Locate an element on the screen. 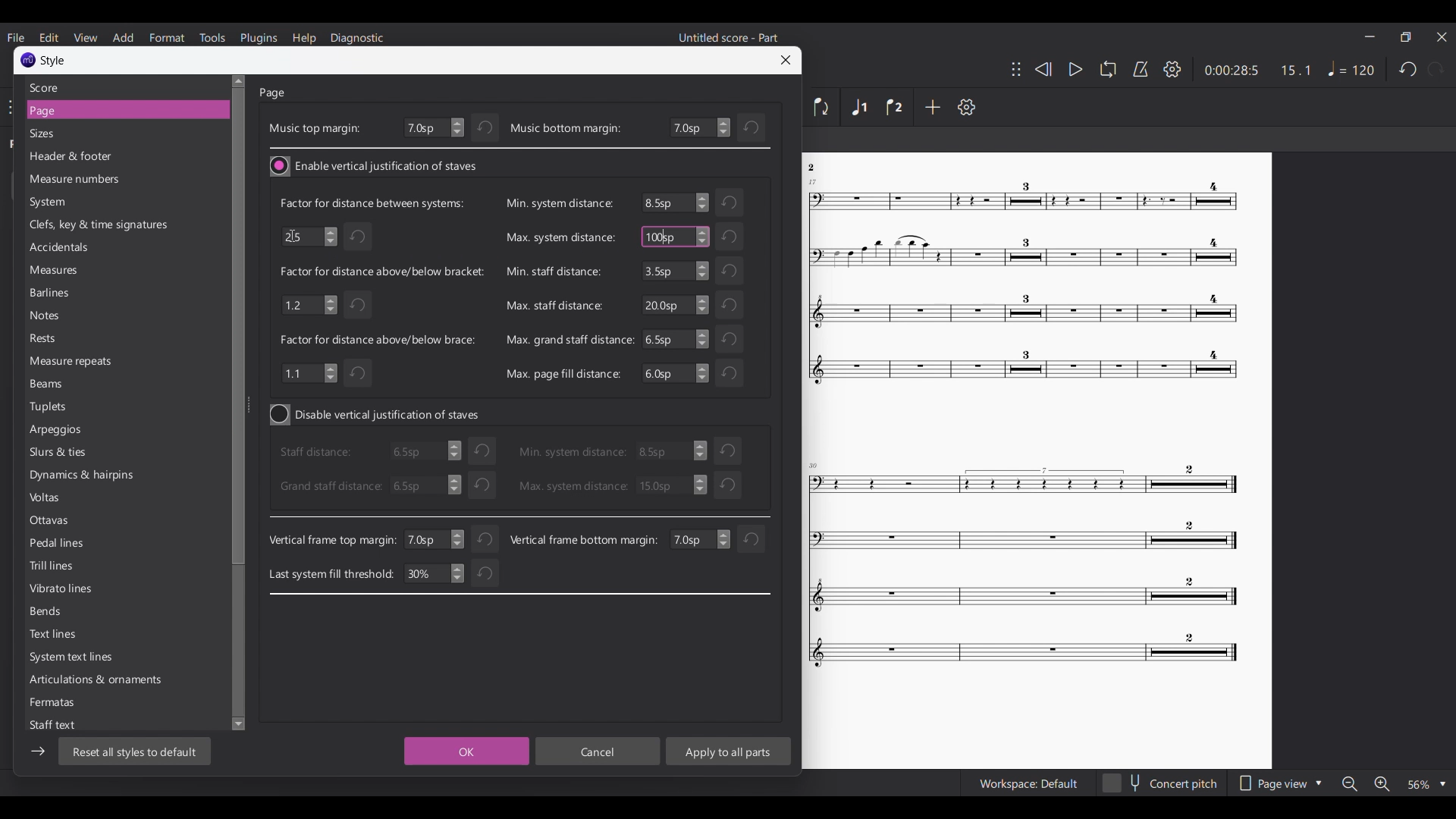 This screenshot has width=1456, height=819. Max. grand staff distance is located at coordinates (570, 339).